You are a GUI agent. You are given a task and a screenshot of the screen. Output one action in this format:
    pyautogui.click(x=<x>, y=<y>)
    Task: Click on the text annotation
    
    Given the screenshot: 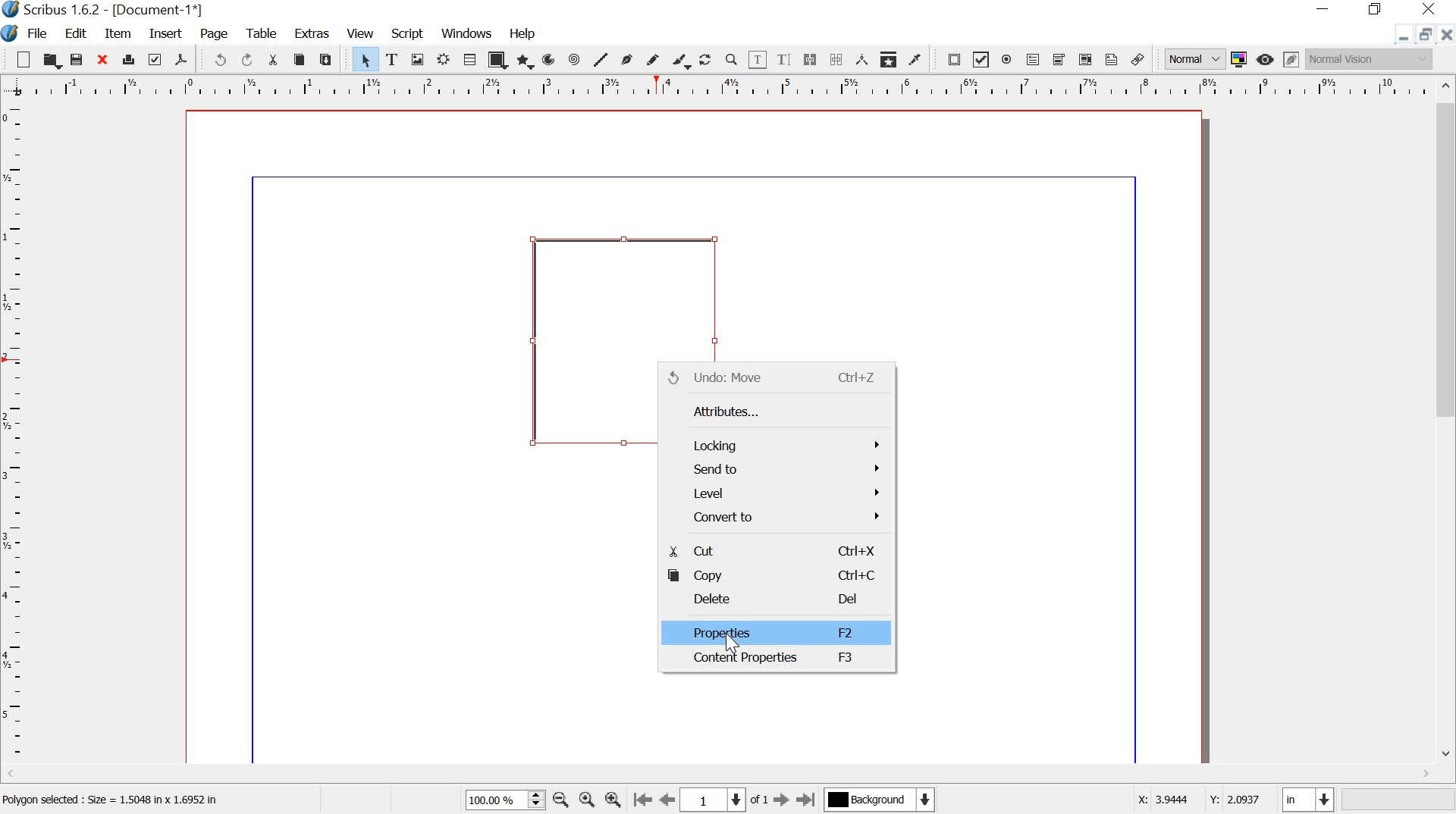 What is the action you would take?
    pyautogui.click(x=1112, y=61)
    